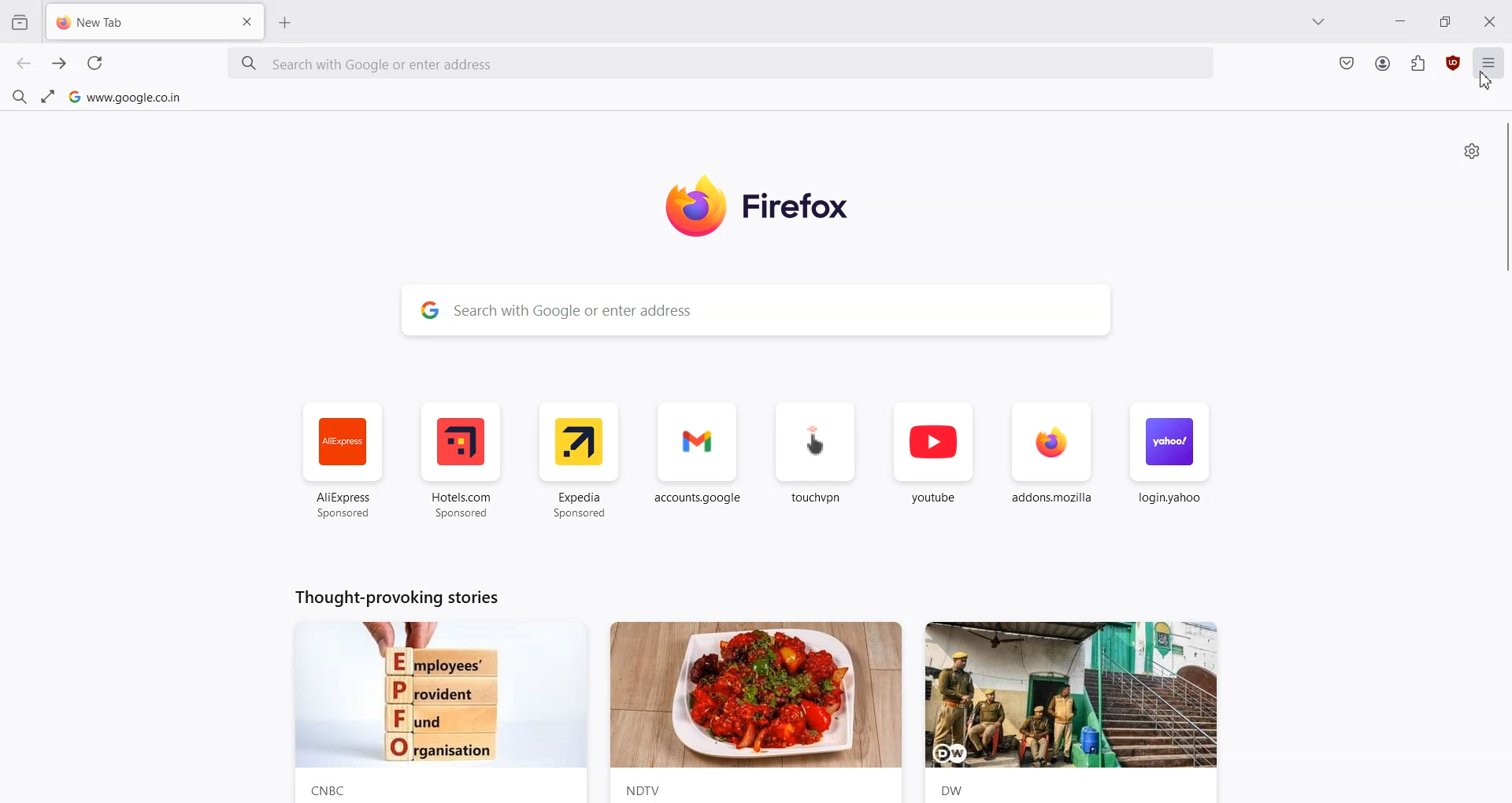  Describe the element at coordinates (286, 22) in the screenshot. I see `Add new Tab` at that location.